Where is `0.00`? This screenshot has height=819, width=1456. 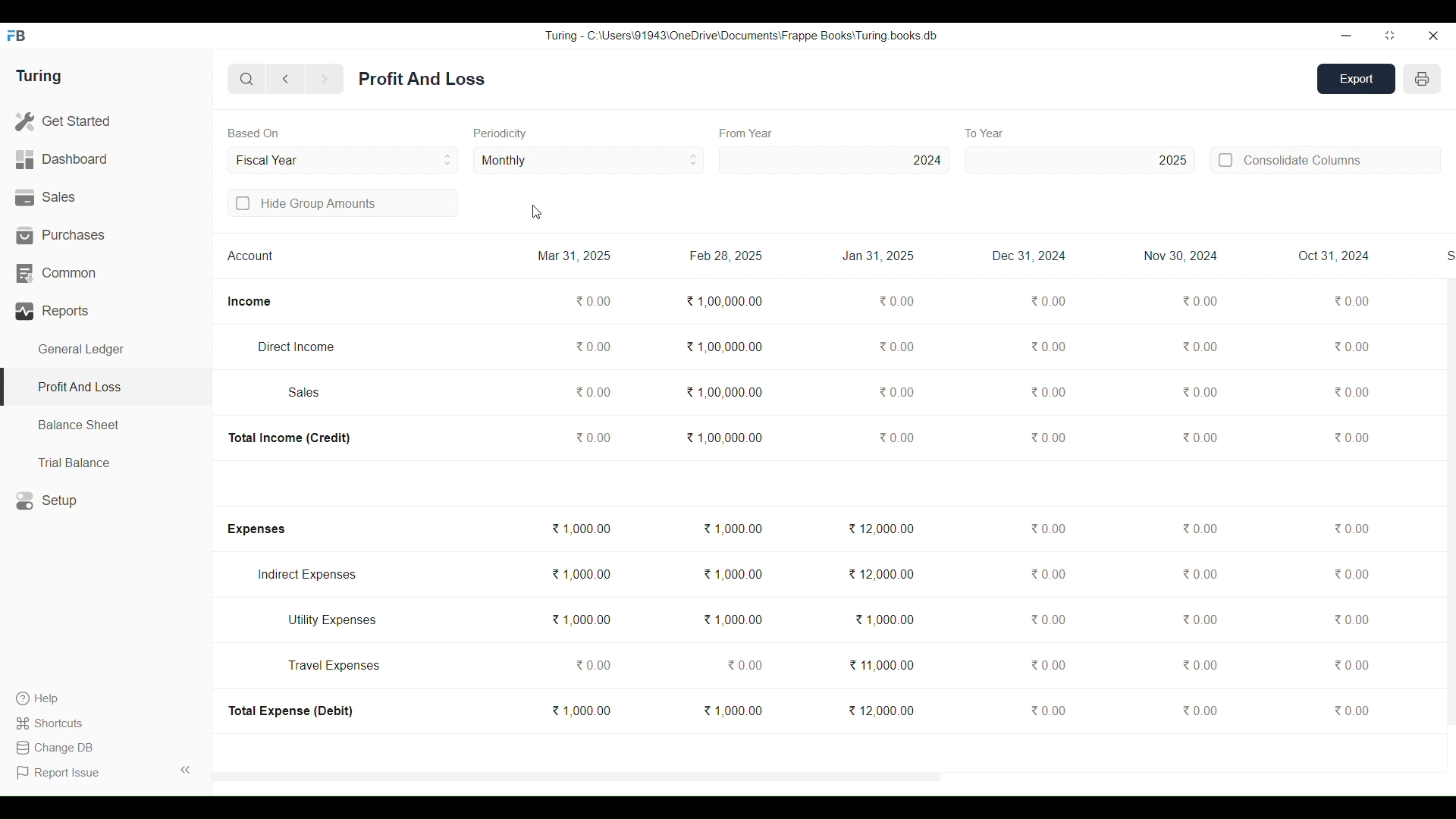
0.00 is located at coordinates (1046, 528).